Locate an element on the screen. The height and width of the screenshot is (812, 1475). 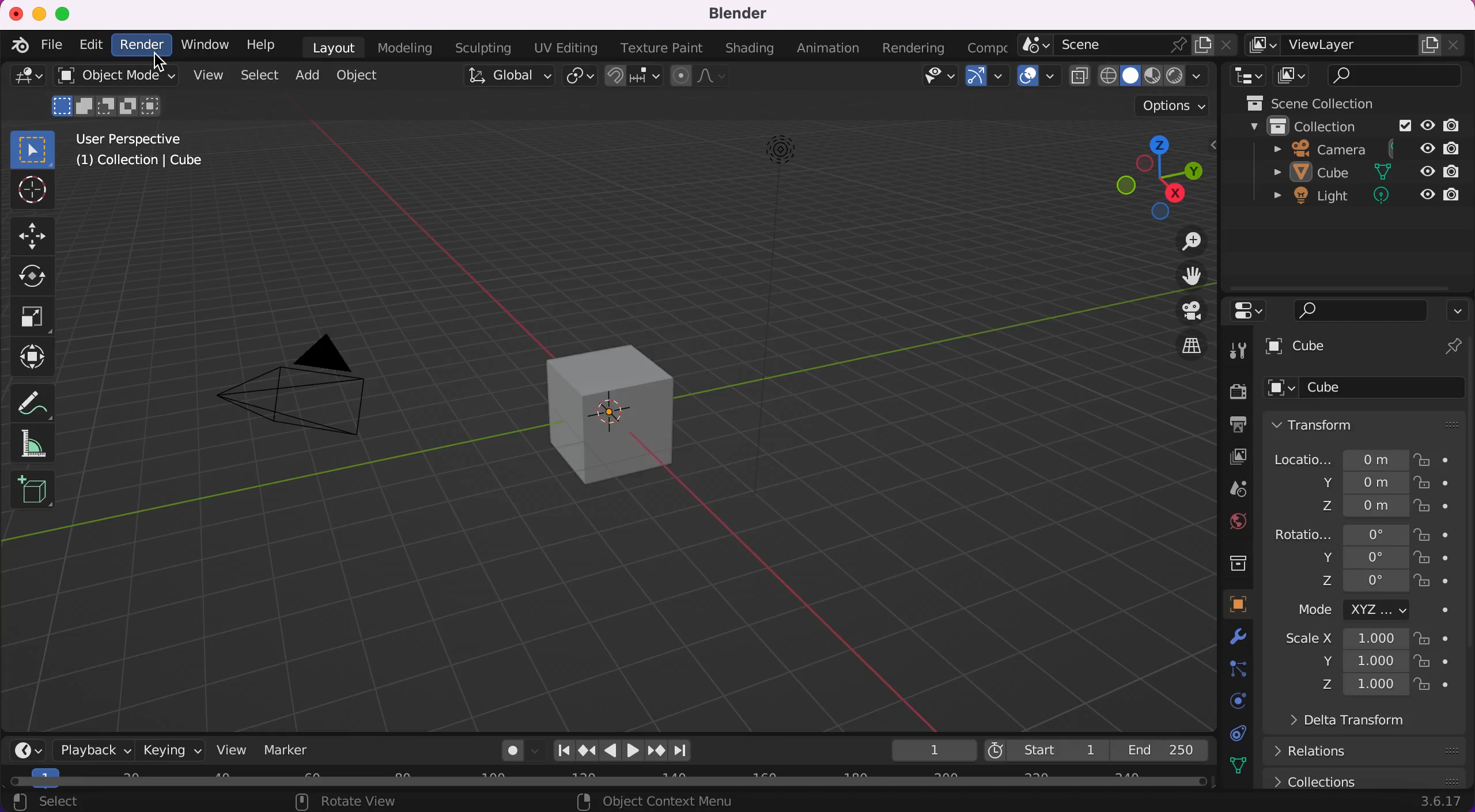
playback is located at coordinates (86, 749).